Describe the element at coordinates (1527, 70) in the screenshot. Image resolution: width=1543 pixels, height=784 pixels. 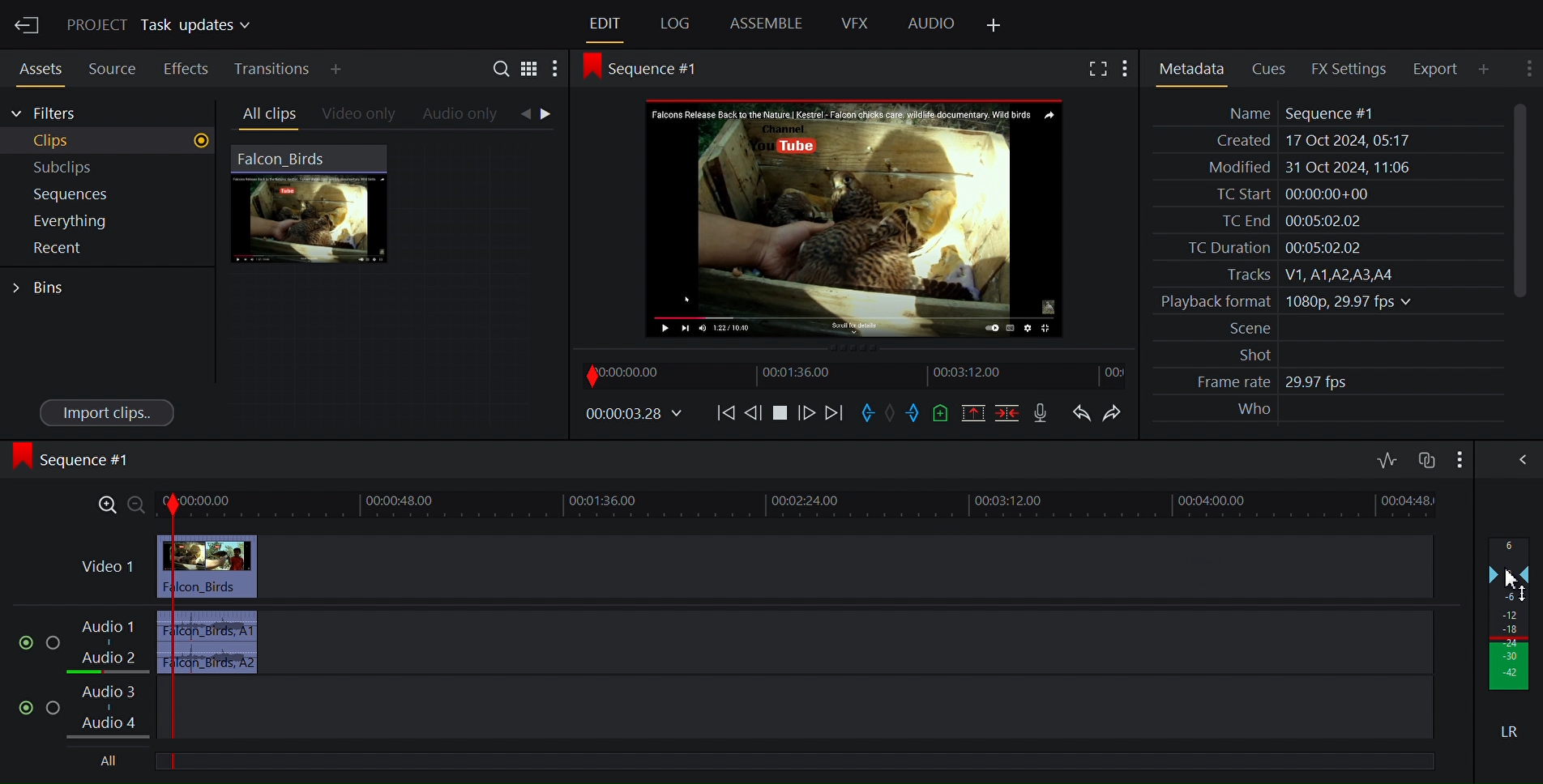
I see `Show settings menu` at that location.